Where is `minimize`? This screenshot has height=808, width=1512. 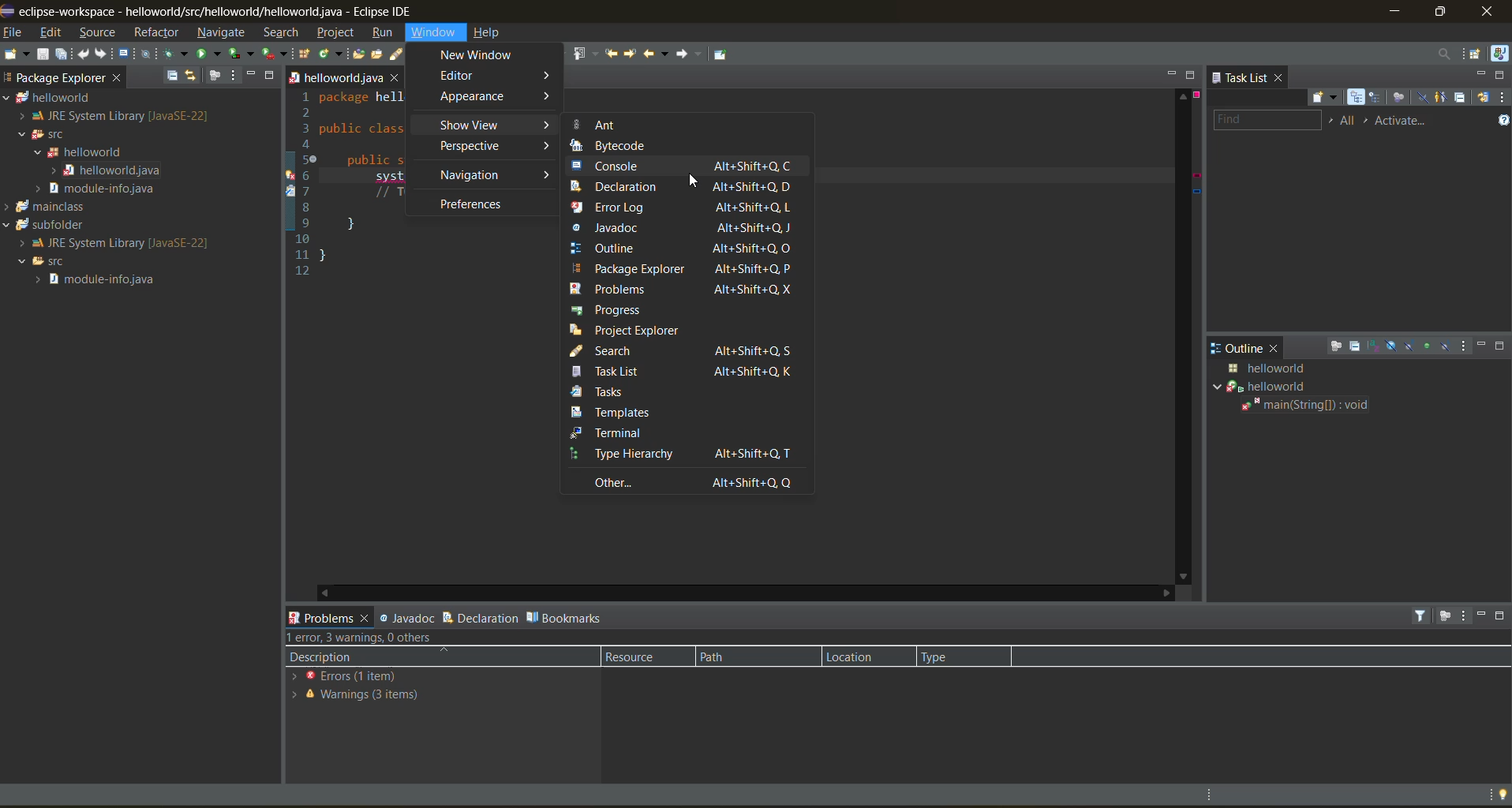 minimize is located at coordinates (1482, 620).